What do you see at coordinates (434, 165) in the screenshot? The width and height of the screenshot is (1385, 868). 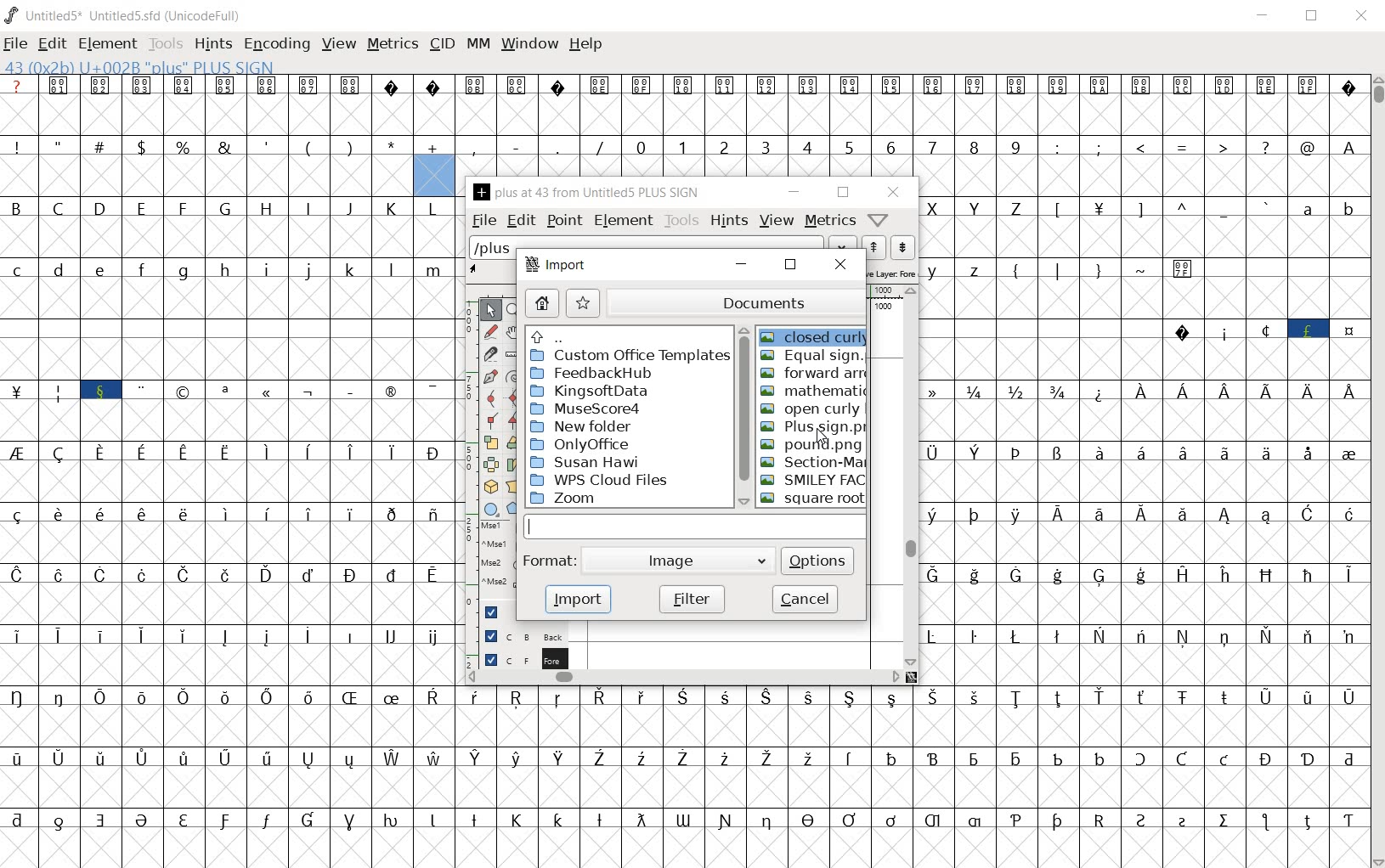 I see `addition` at bounding box center [434, 165].